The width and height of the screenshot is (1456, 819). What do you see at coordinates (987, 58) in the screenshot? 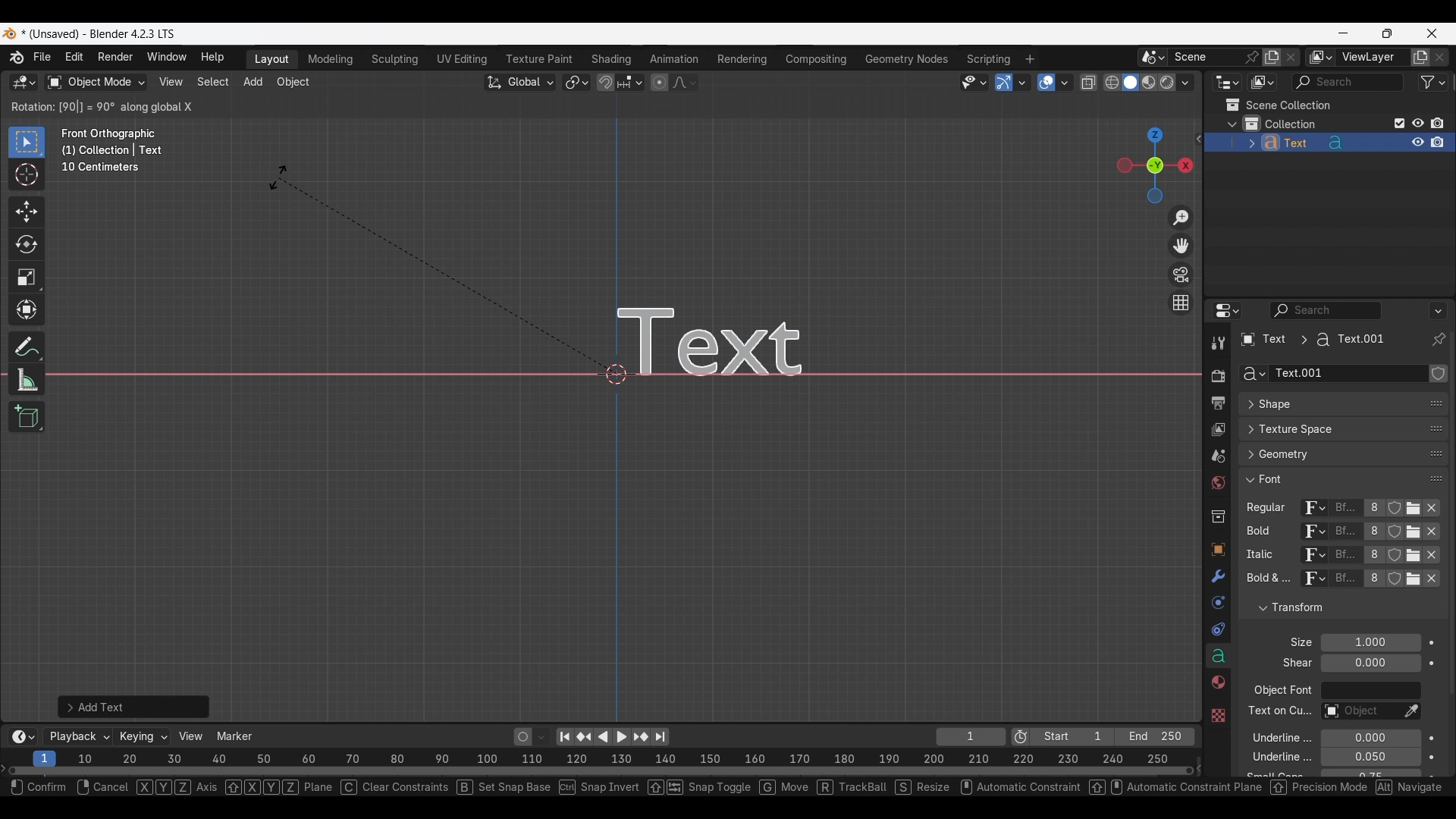
I see `Scripting workspace` at bounding box center [987, 58].